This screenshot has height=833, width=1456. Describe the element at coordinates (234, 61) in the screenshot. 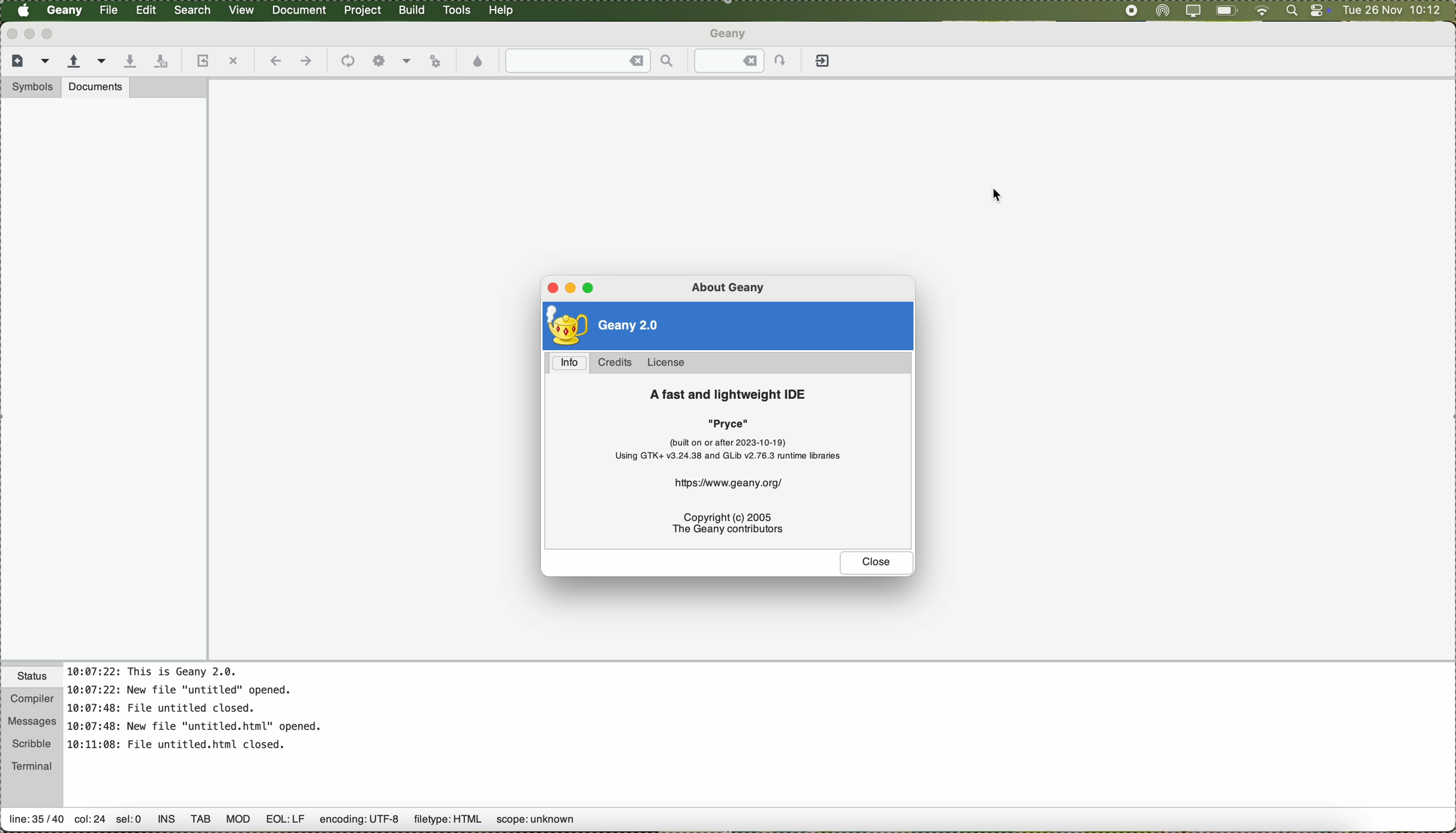

I see `close the current file` at that location.